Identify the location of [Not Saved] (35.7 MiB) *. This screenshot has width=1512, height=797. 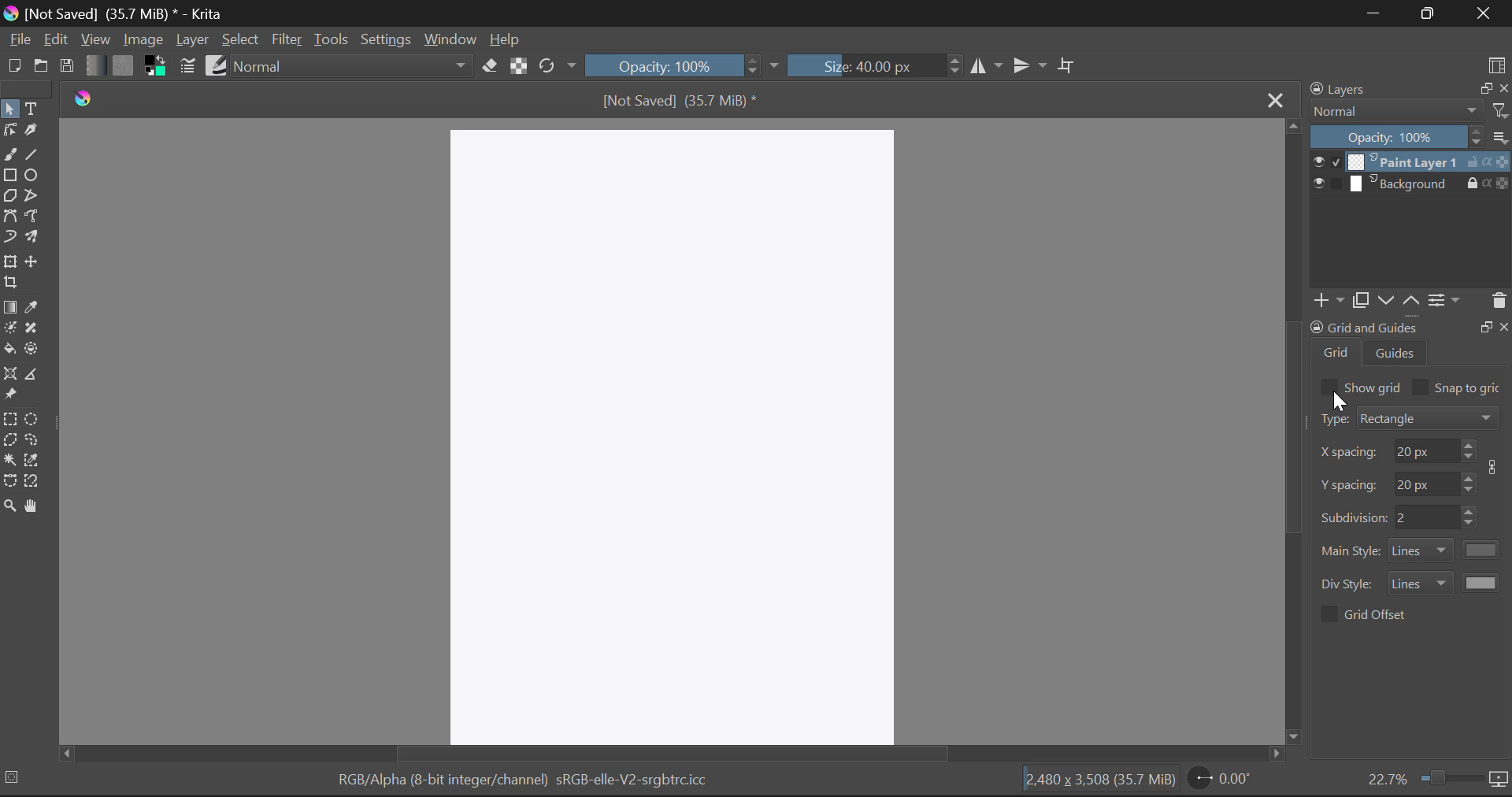
(681, 100).